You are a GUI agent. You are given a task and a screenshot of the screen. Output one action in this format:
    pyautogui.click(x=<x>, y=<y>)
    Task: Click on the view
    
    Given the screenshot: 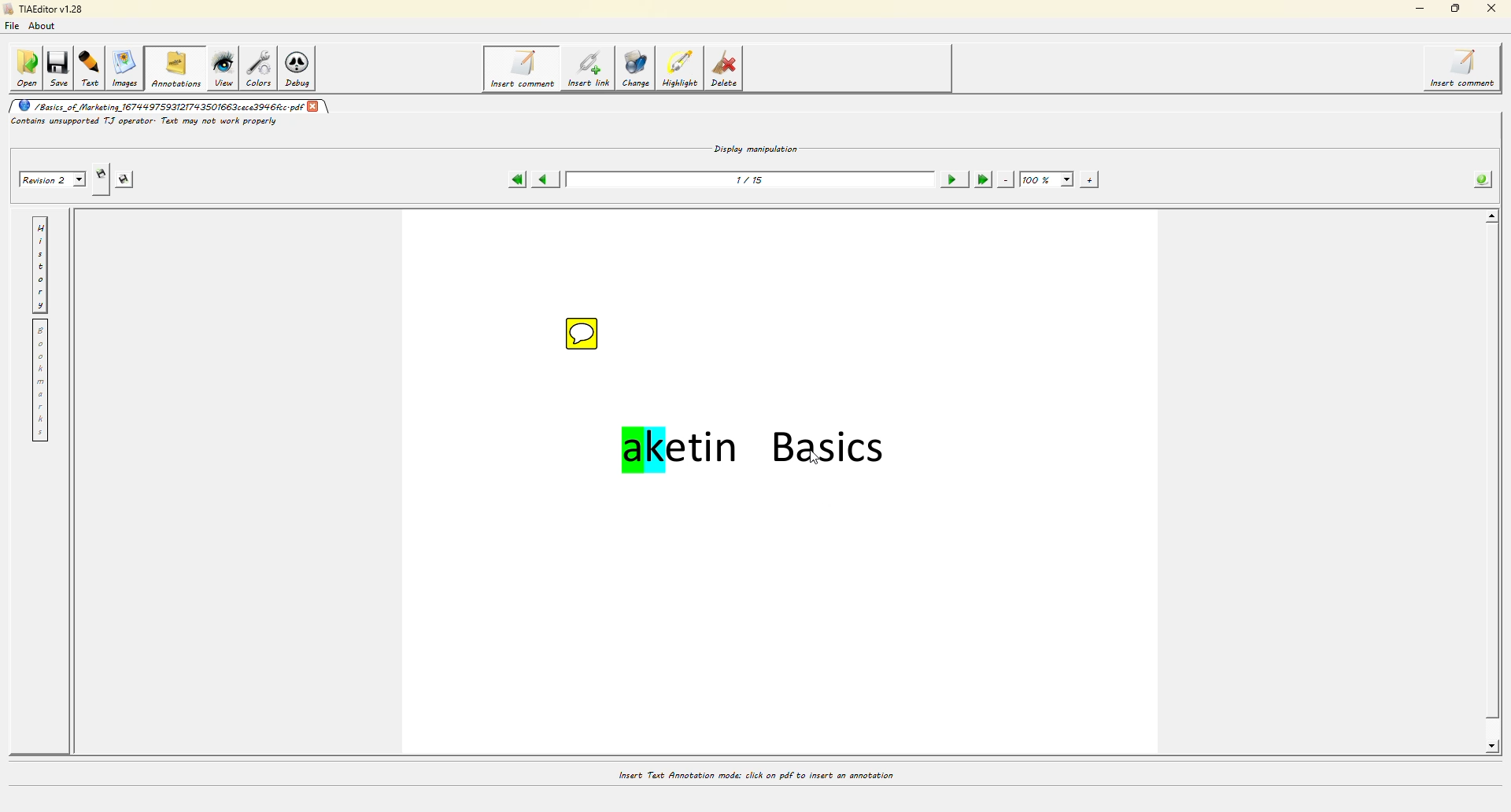 What is the action you would take?
    pyautogui.click(x=224, y=68)
    